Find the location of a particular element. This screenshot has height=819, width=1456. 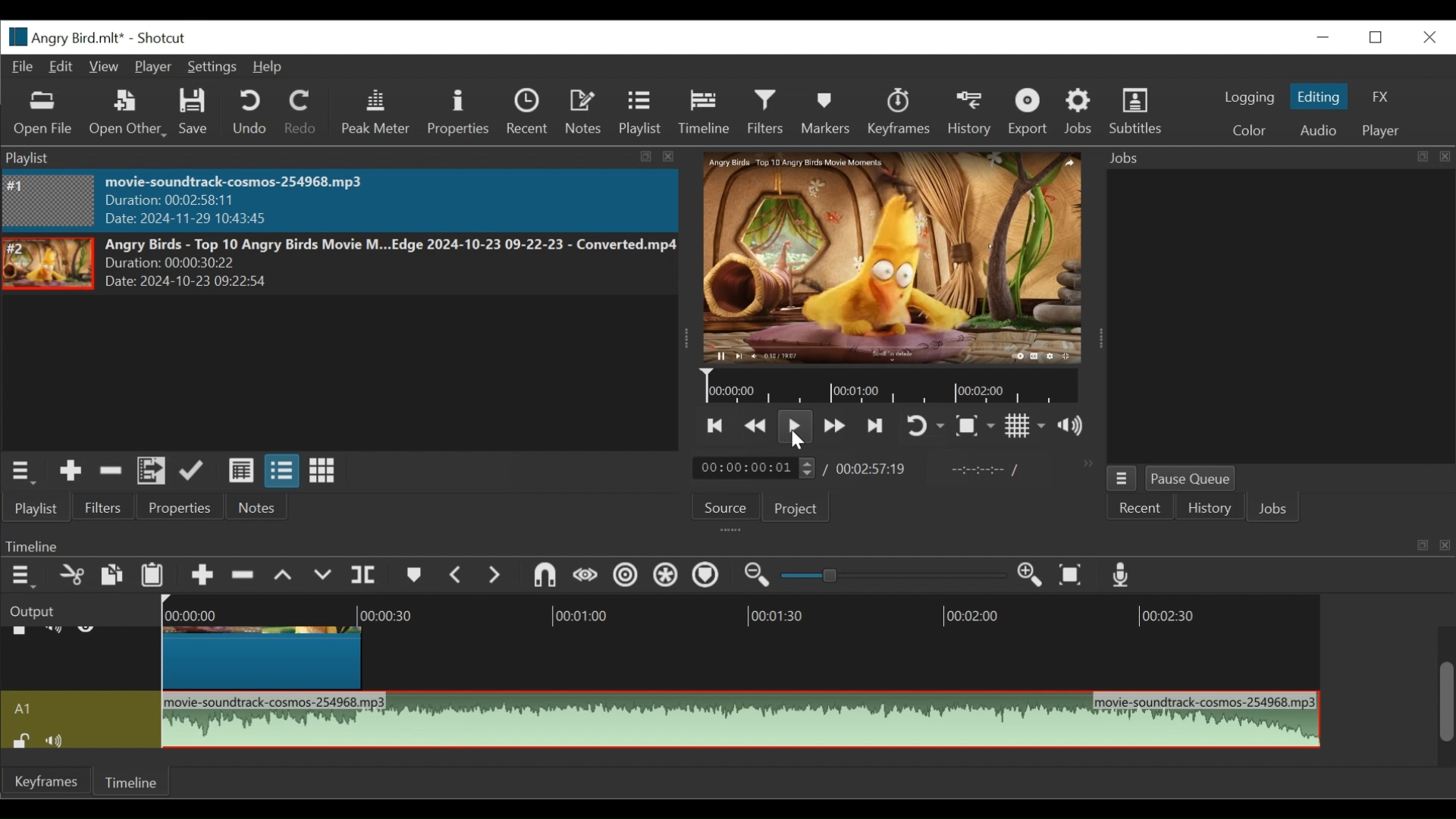

Ripple Markers is located at coordinates (706, 578).